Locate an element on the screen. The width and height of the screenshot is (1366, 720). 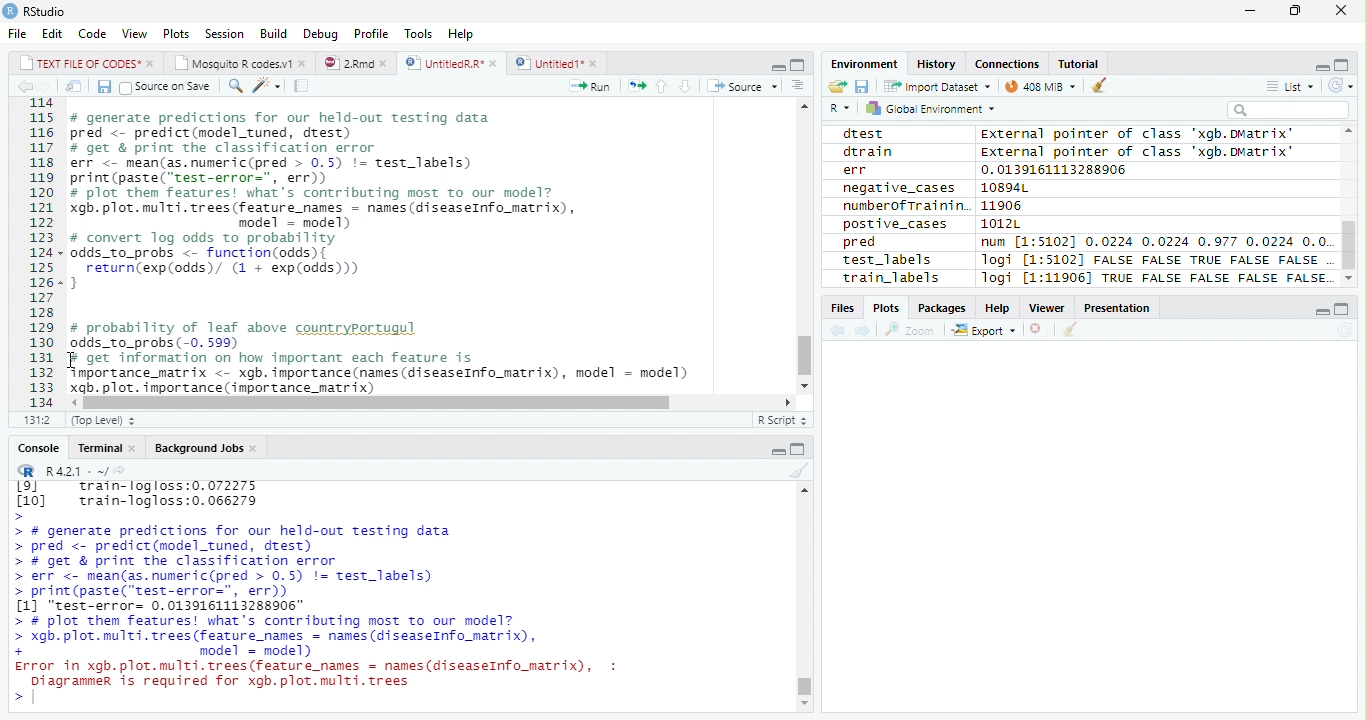
> # generate predictions for our held-out testing data

> pred <- predict(model_tuned, drest)

> # get & print the classification error

> err <- mean(as.numeric(pred > 0.5) != test_labels)

> print(paste("test-error=", err))

[1] "test-error= 0.0139161113288906"

> # plot them features! what's contributing most To our model?

> xgb. plot. multi. trees (feature names = names (diseaseInfo_matrix),

+ model = model)

Error in xgb.plot.multi.trees(feature names = names(diseaseInfo_matrix), :
Diagrammer is required for xgb.plot.multi.trees

> is located at coordinates (323, 612).